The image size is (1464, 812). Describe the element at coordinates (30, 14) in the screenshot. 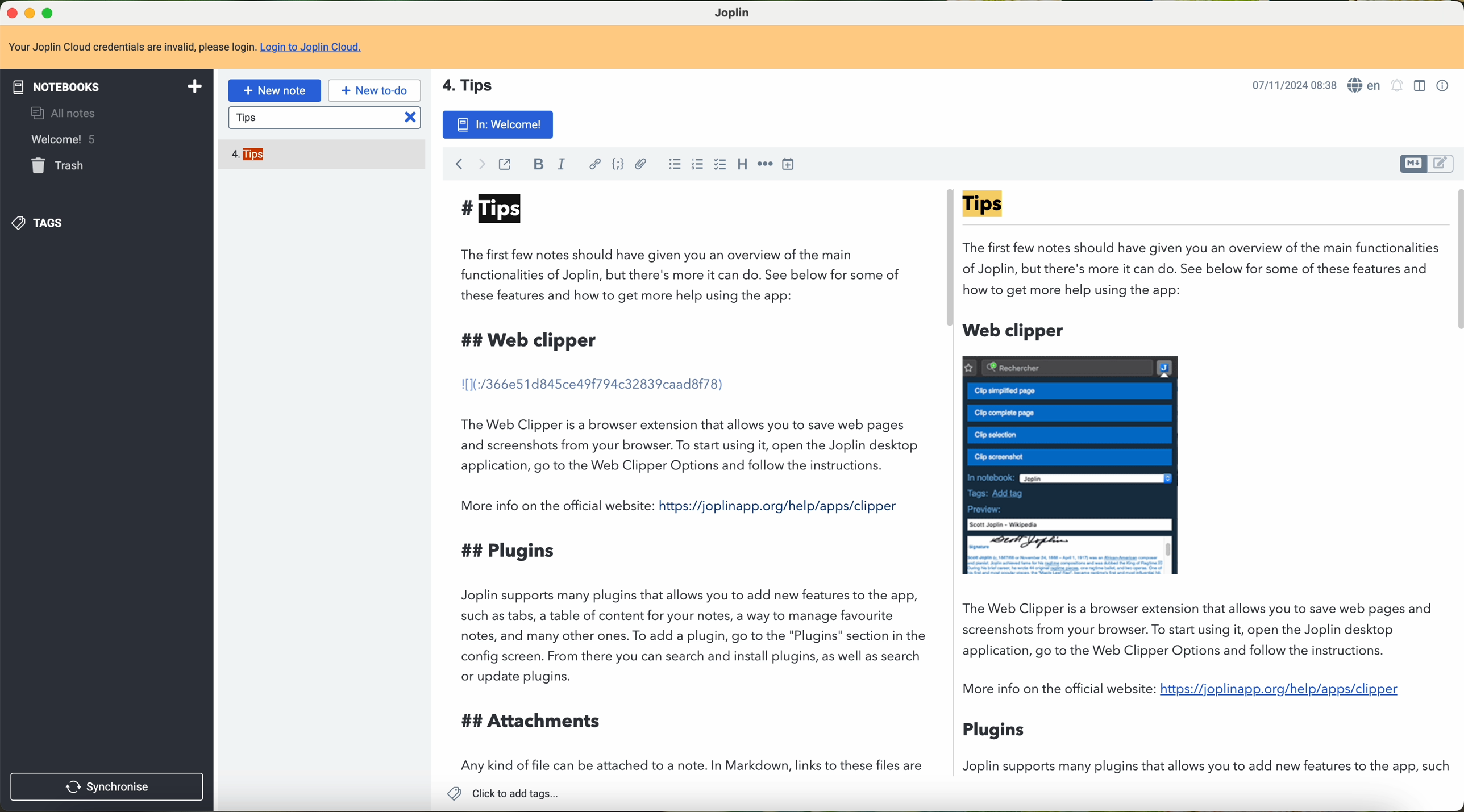

I see `minimize Joplin` at that location.